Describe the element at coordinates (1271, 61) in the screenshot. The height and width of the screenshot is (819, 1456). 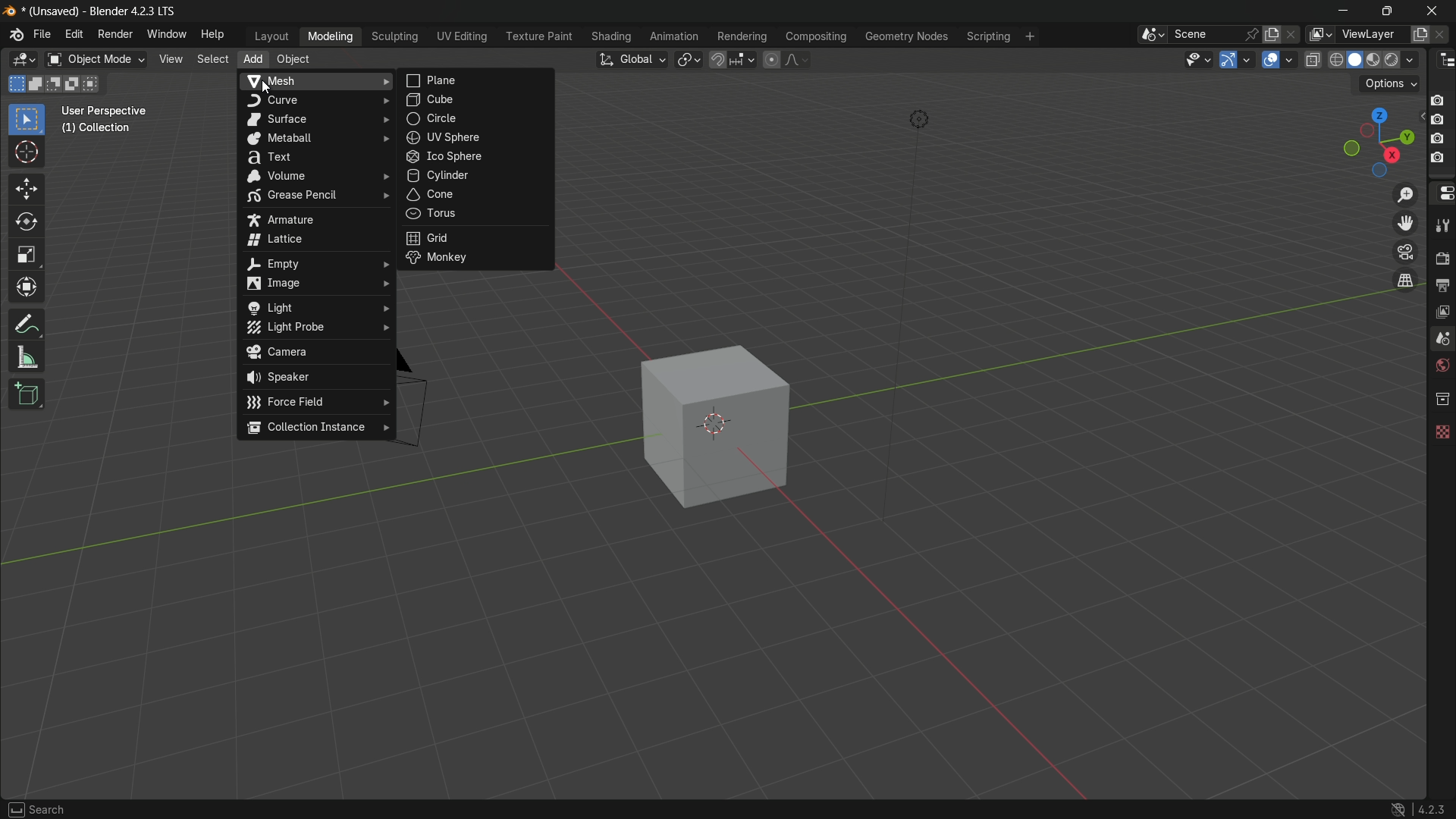
I see `show overlay` at that location.